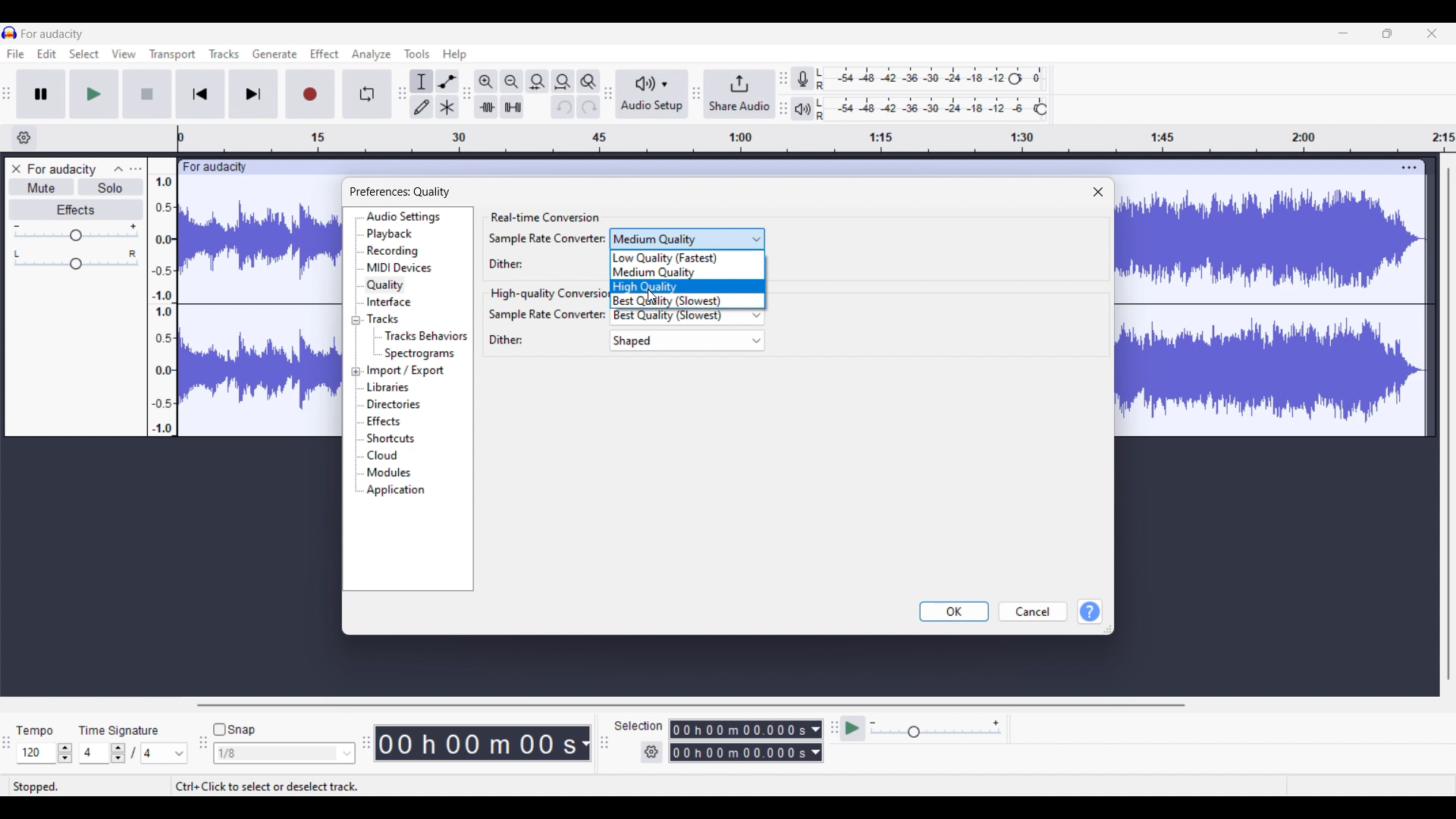 The width and height of the screenshot is (1456, 819). Describe the element at coordinates (454, 55) in the screenshot. I see `Help menu` at that location.